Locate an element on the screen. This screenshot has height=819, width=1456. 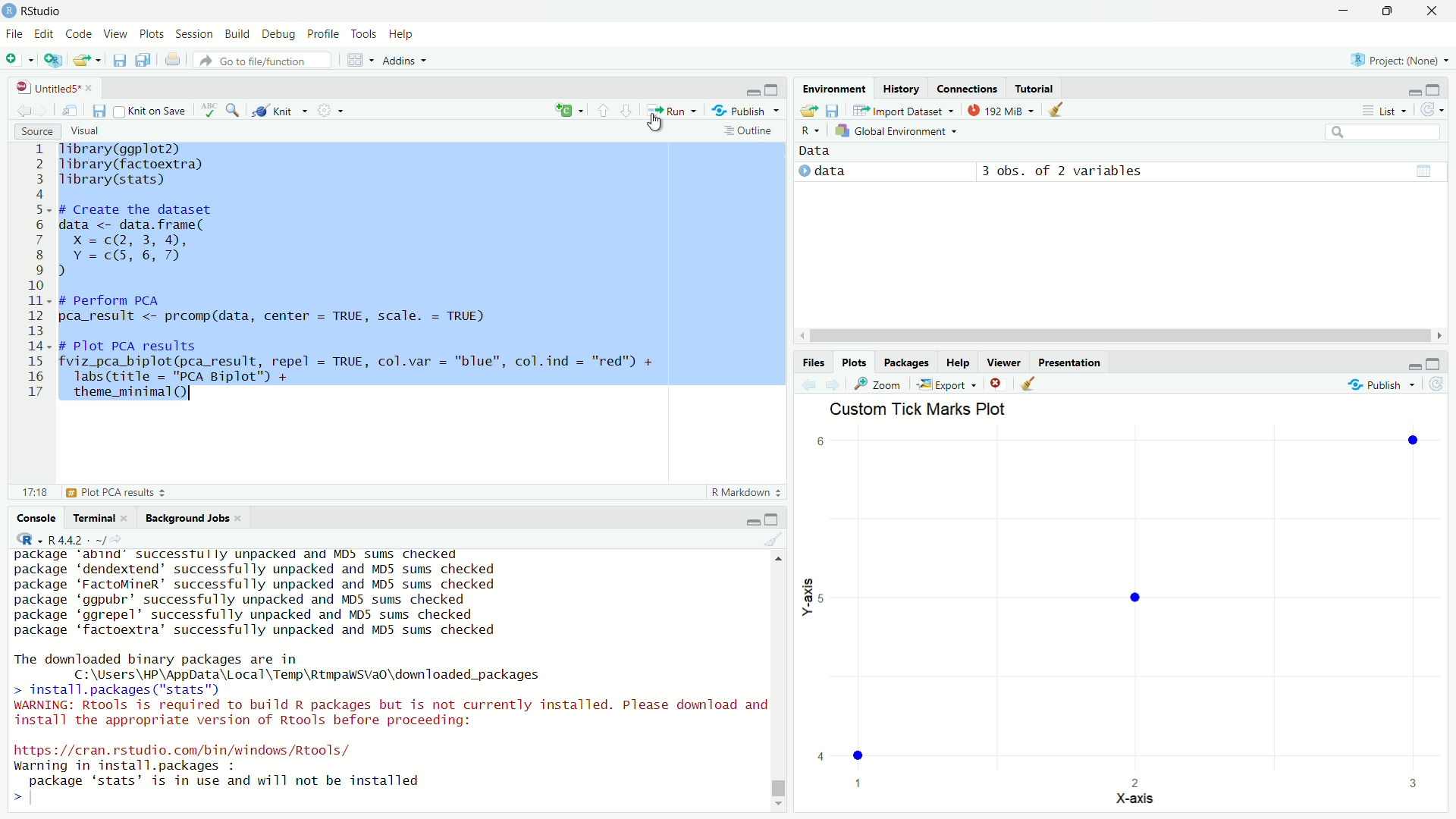
visual is located at coordinates (86, 130).